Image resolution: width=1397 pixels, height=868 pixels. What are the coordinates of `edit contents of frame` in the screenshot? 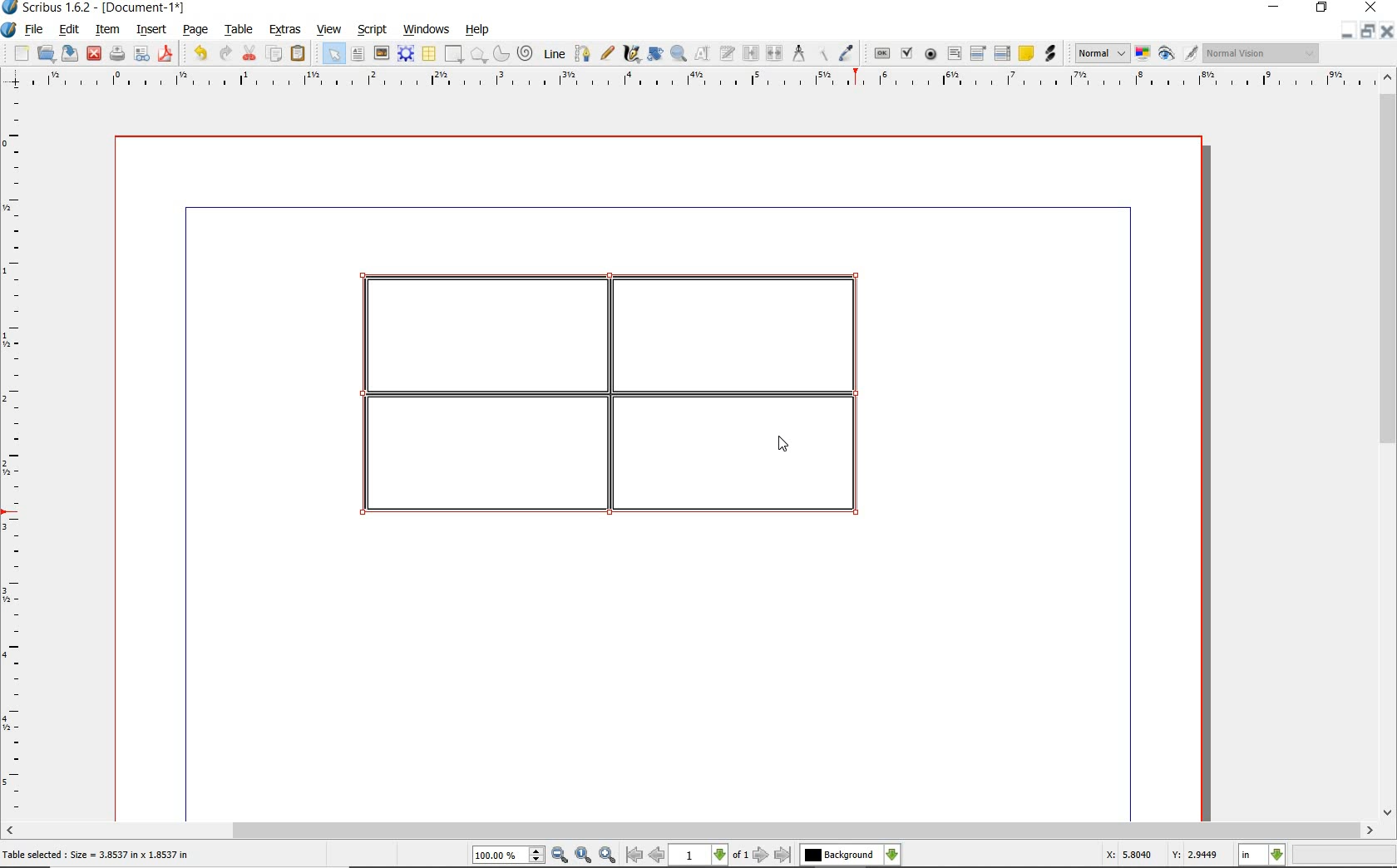 It's located at (703, 54).